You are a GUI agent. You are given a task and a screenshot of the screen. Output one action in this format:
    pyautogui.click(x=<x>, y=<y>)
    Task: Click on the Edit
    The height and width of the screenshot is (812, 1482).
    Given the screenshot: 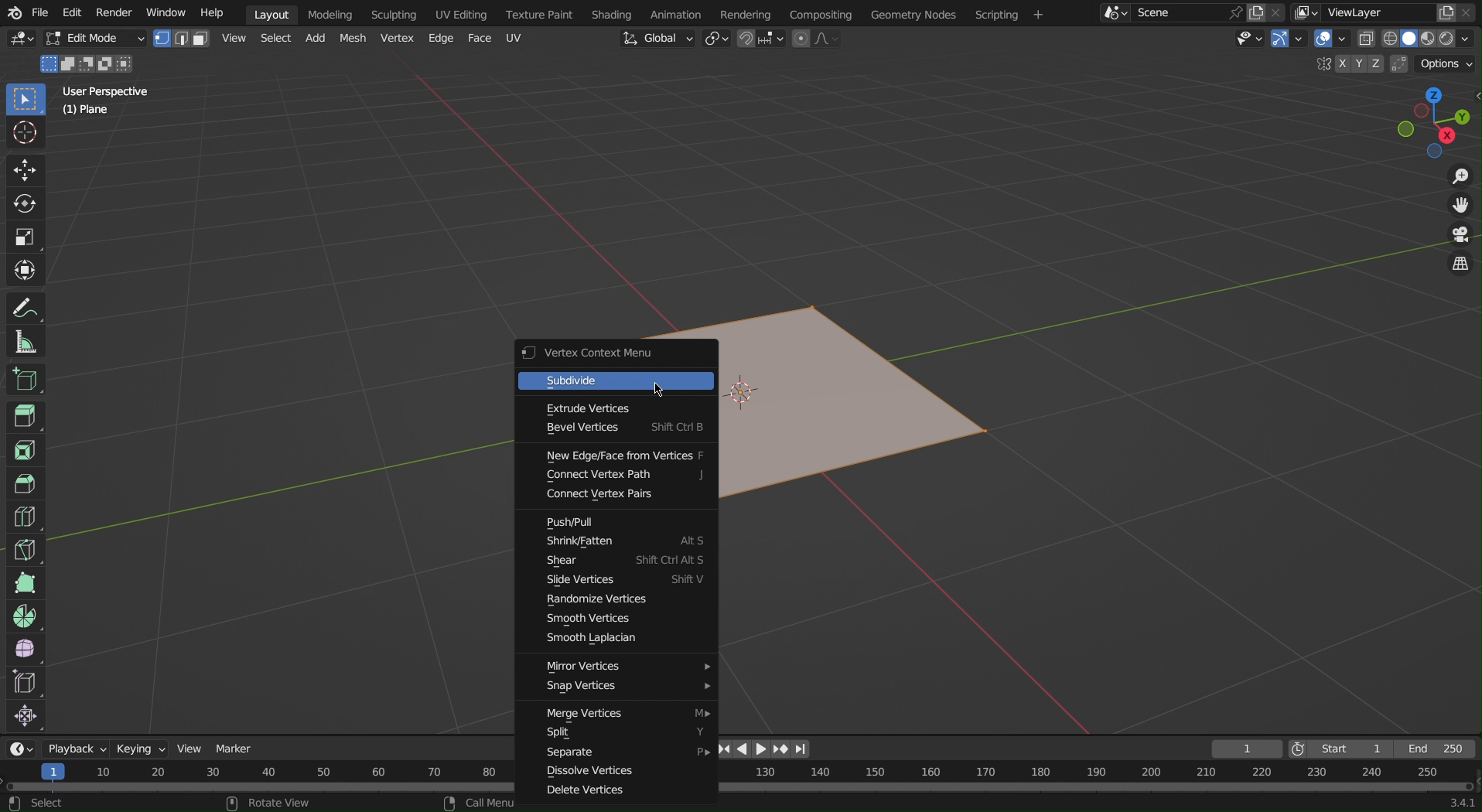 What is the action you would take?
    pyautogui.click(x=72, y=12)
    